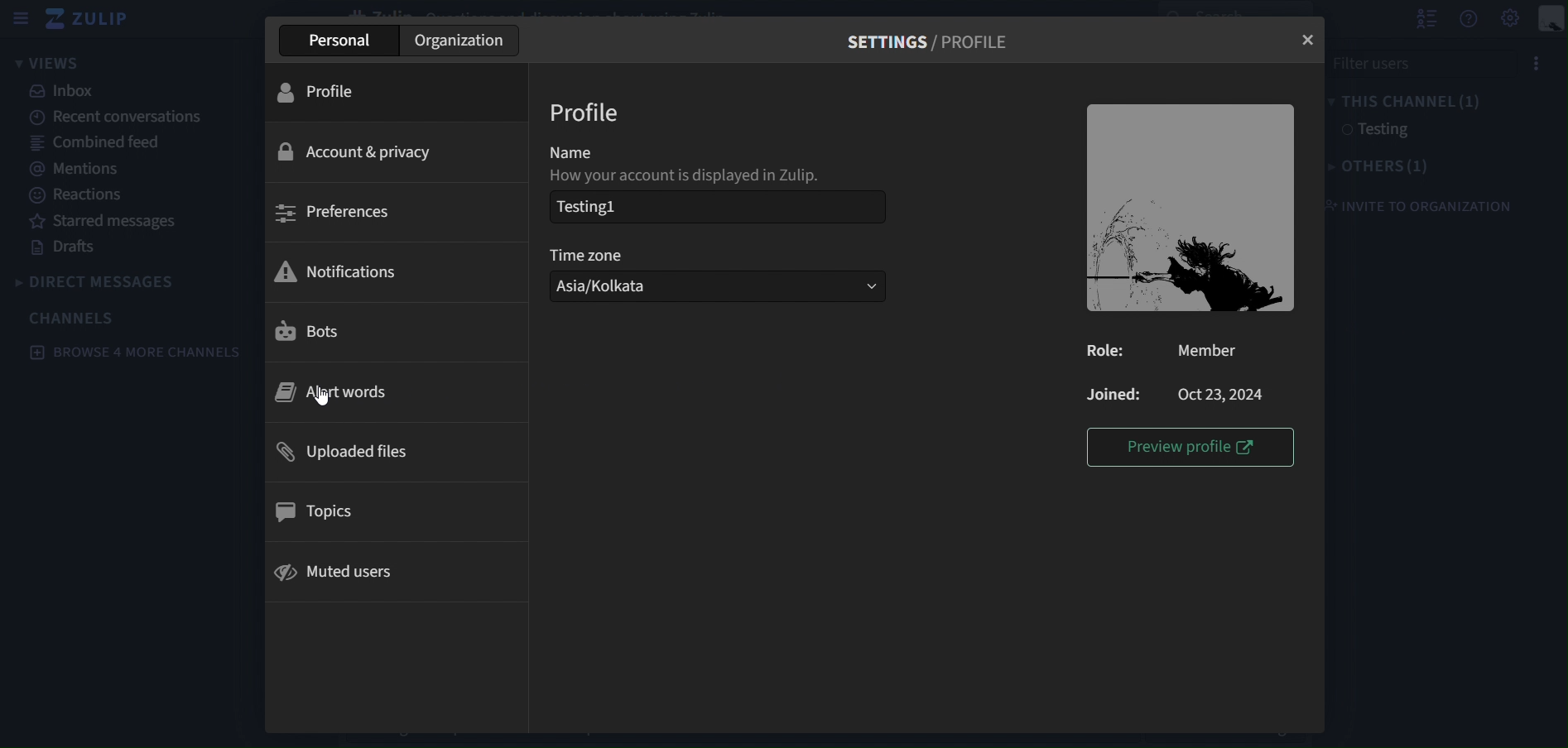 This screenshot has height=748, width=1568. Describe the element at coordinates (78, 194) in the screenshot. I see `reactions` at that location.